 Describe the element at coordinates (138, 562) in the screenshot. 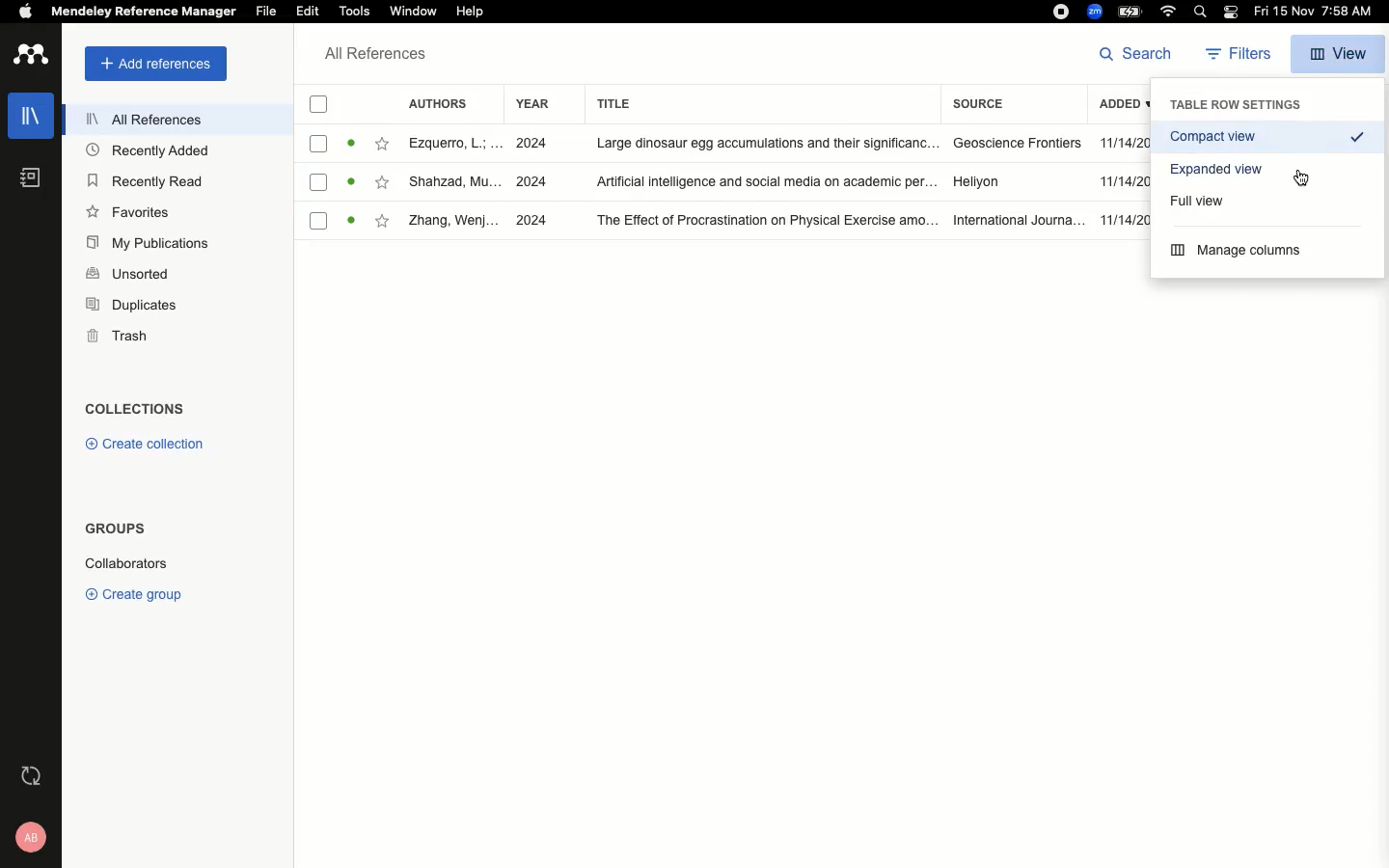

I see `Collaborators` at that location.